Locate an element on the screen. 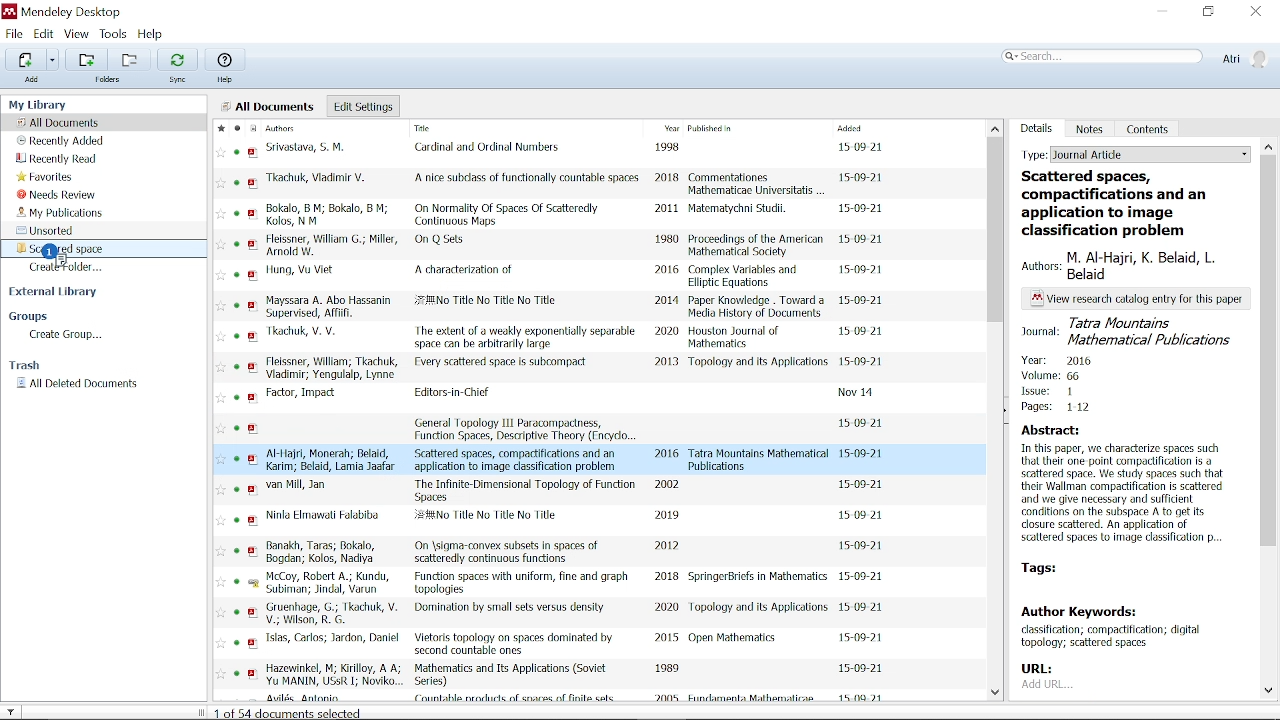 Image resolution: width=1280 pixels, height=720 pixels. year is located at coordinates (1059, 359).